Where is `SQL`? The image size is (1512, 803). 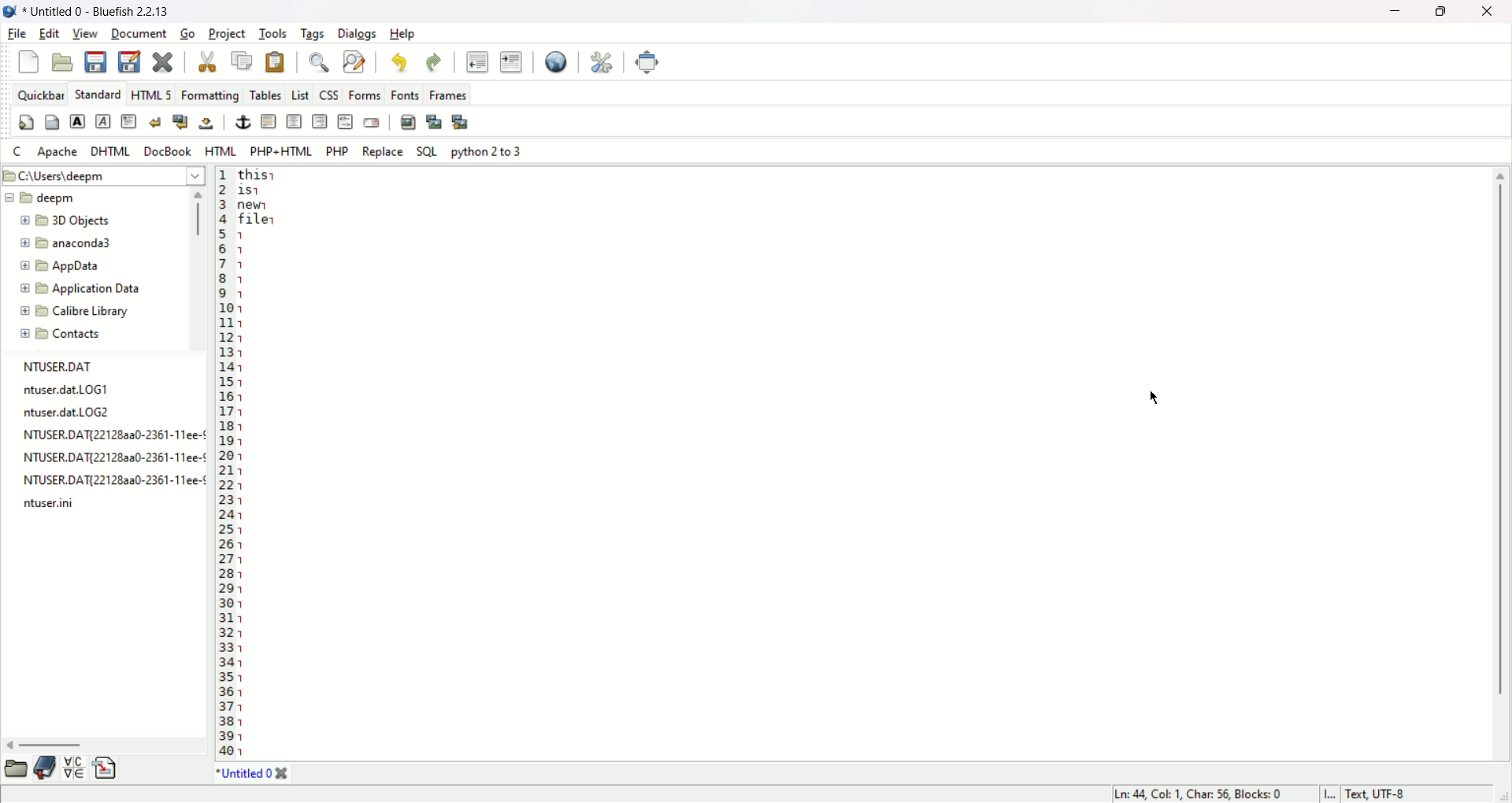
SQL is located at coordinates (428, 152).